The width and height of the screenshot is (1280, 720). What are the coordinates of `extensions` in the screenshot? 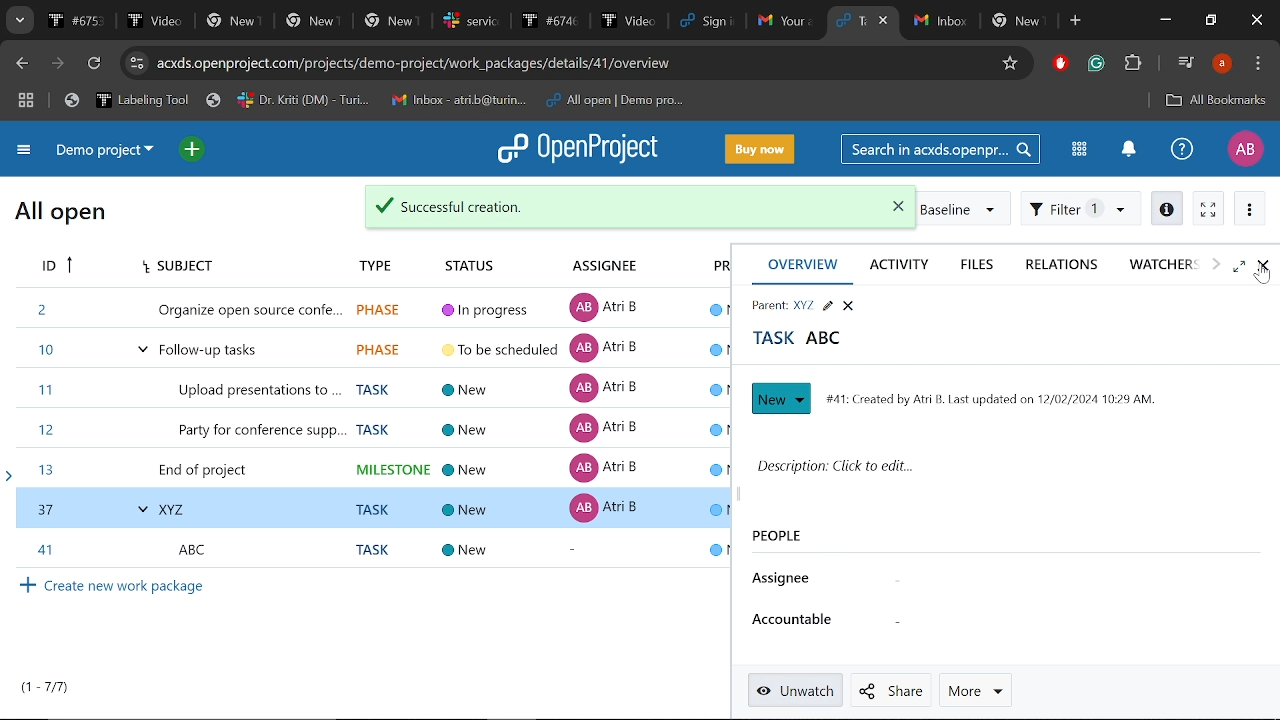 It's located at (1132, 65).